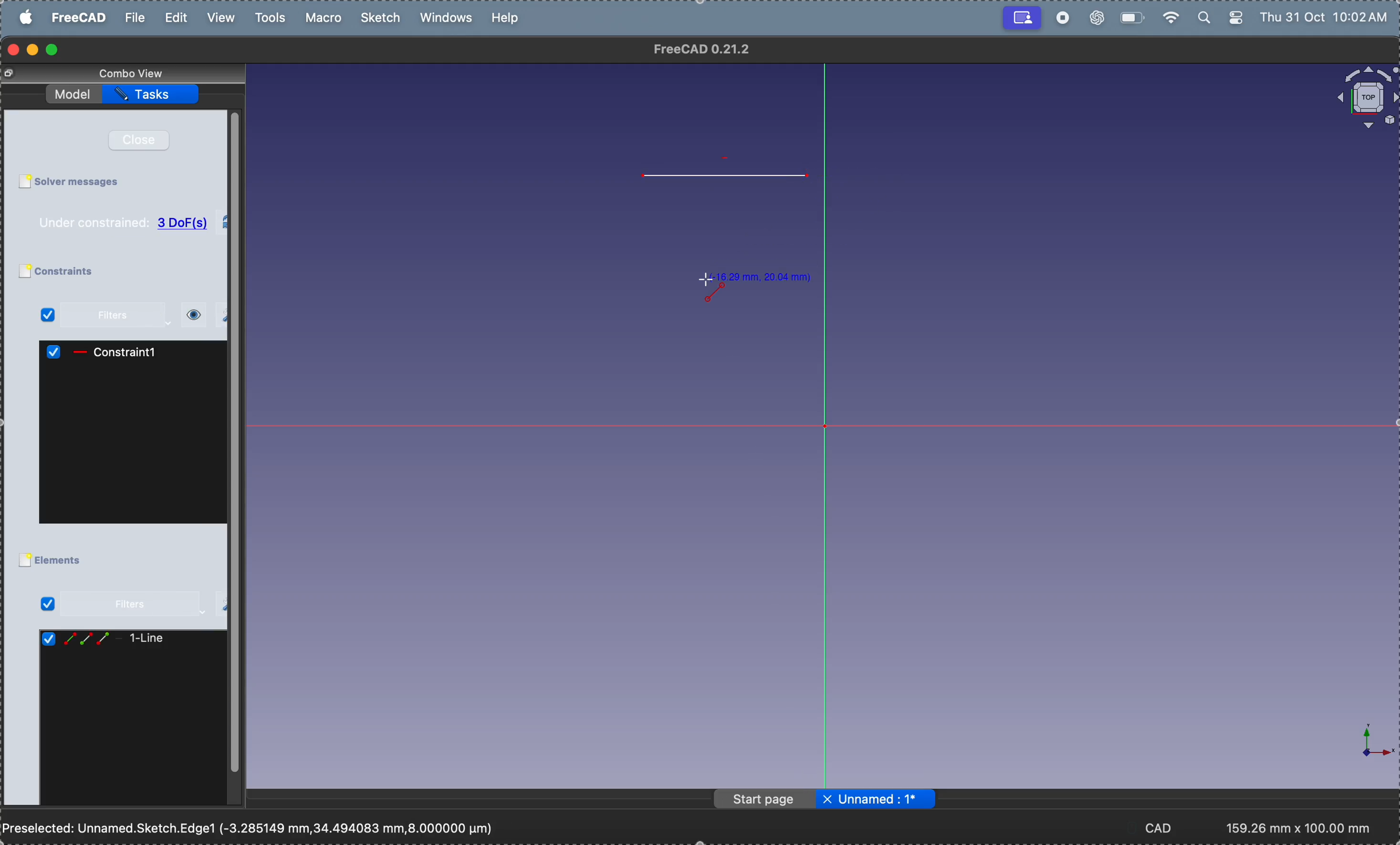 Image resolution: width=1400 pixels, height=845 pixels. What do you see at coordinates (24, 182) in the screenshot?
I see `Checkbox` at bounding box center [24, 182].